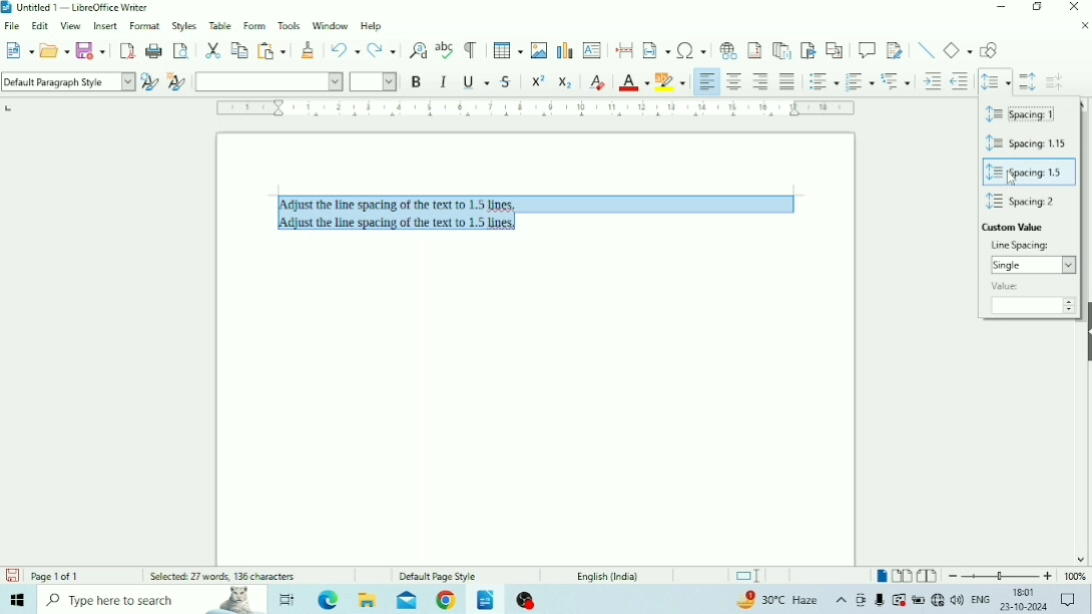  I want to click on Single-page view, so click(882, 577).